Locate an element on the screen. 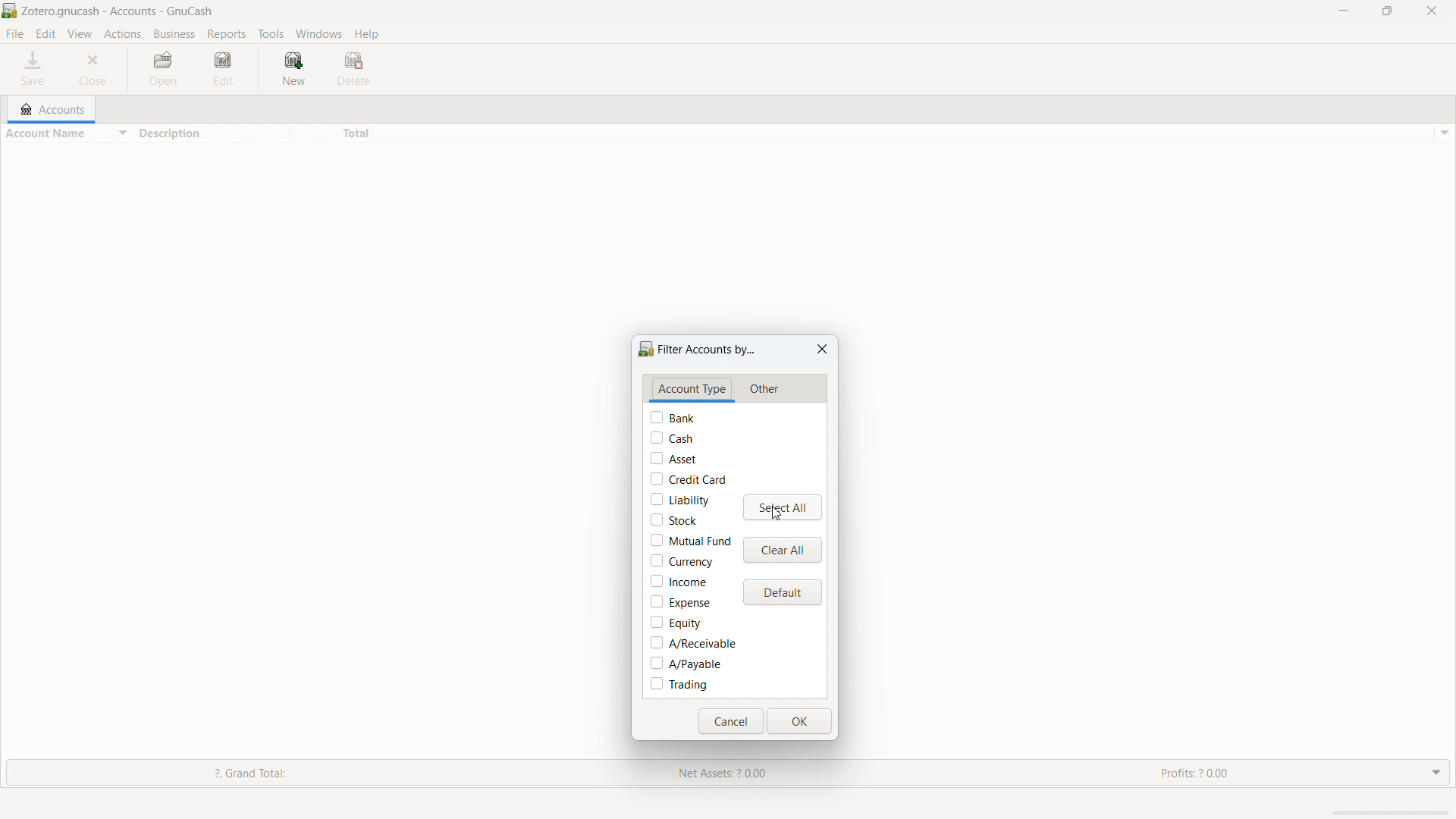 The height and width of the screenshot is (819, 1456). income is located at coordinates (678, 581).